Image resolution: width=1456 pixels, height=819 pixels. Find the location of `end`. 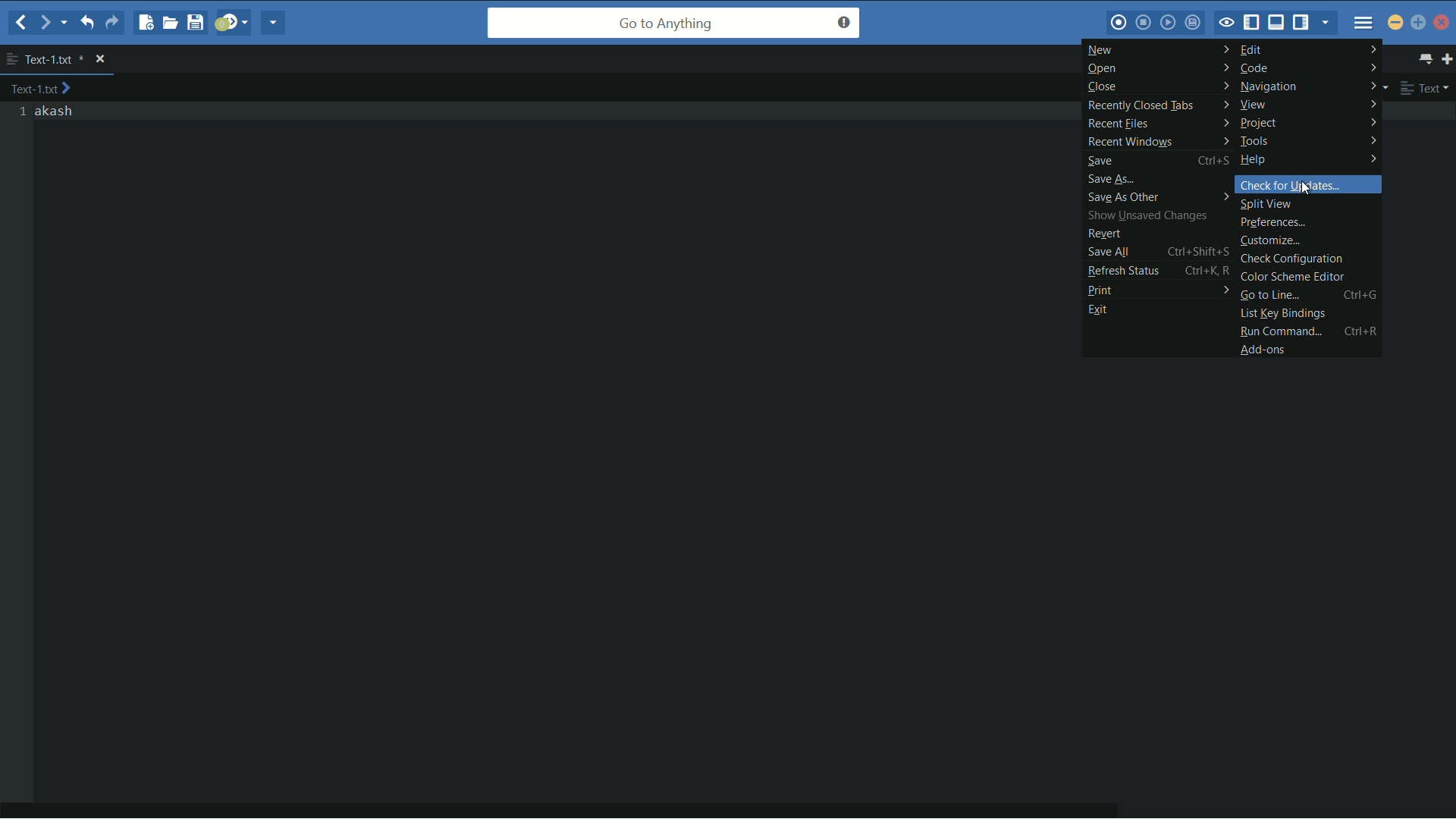

end is located at coordinates (67, 23).